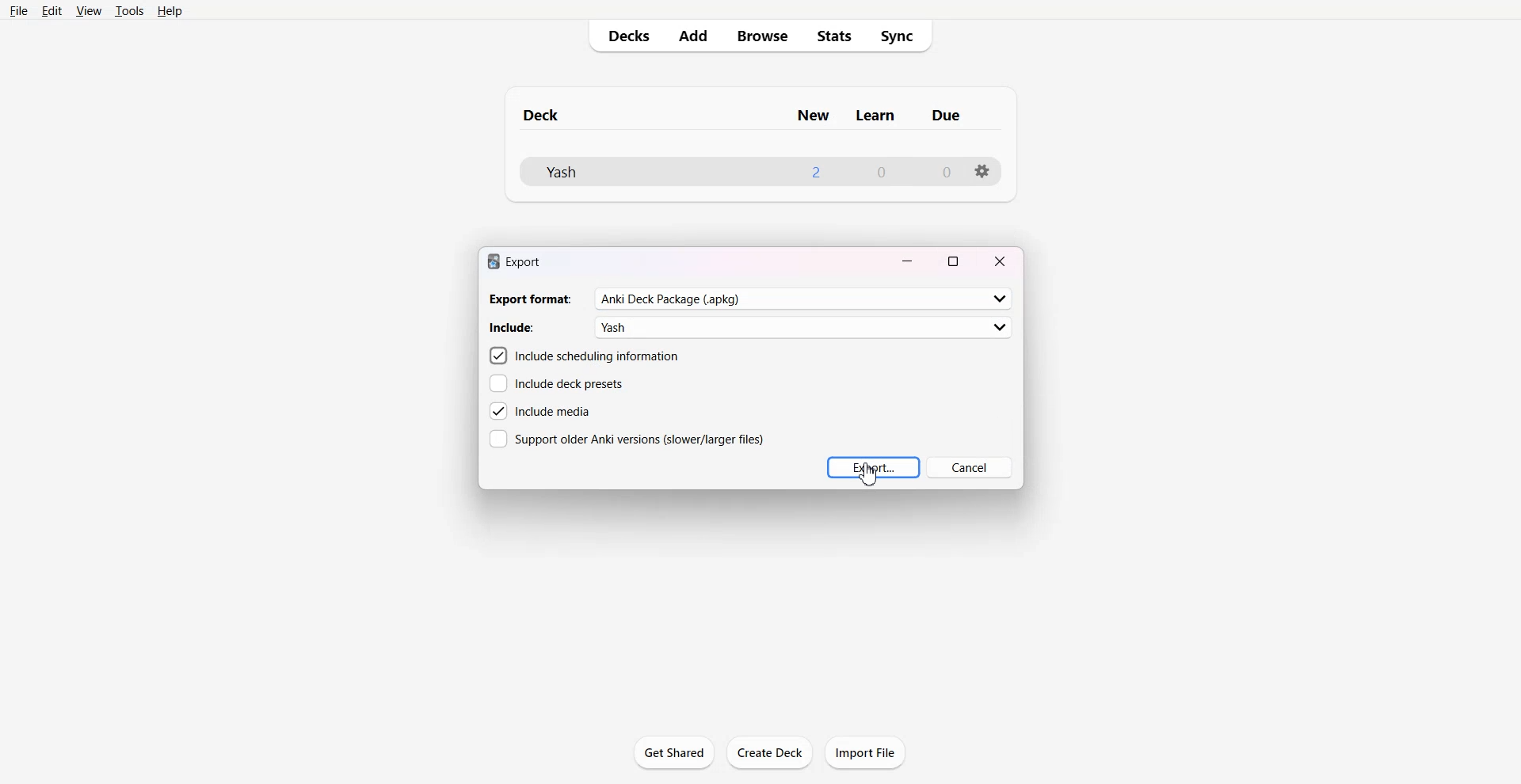  What do you see at coordinates (693, 36) in the screenshot?
I see `Add` at bounding box center [693, 36].